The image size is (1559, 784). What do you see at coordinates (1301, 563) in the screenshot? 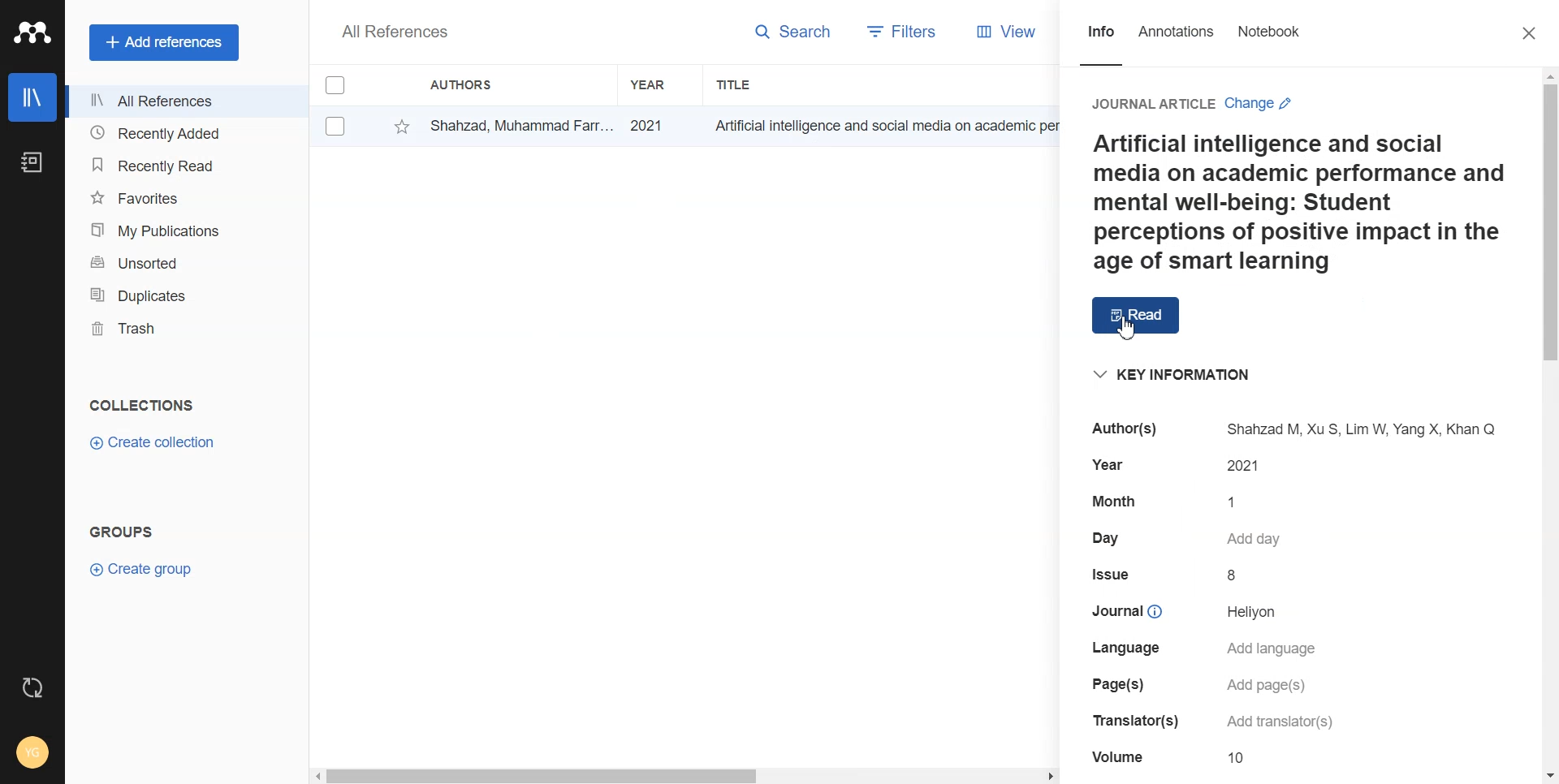
I see `Key information about authors, year, month, day, issue, journal and so on.` at bounding box center [1301, 563].